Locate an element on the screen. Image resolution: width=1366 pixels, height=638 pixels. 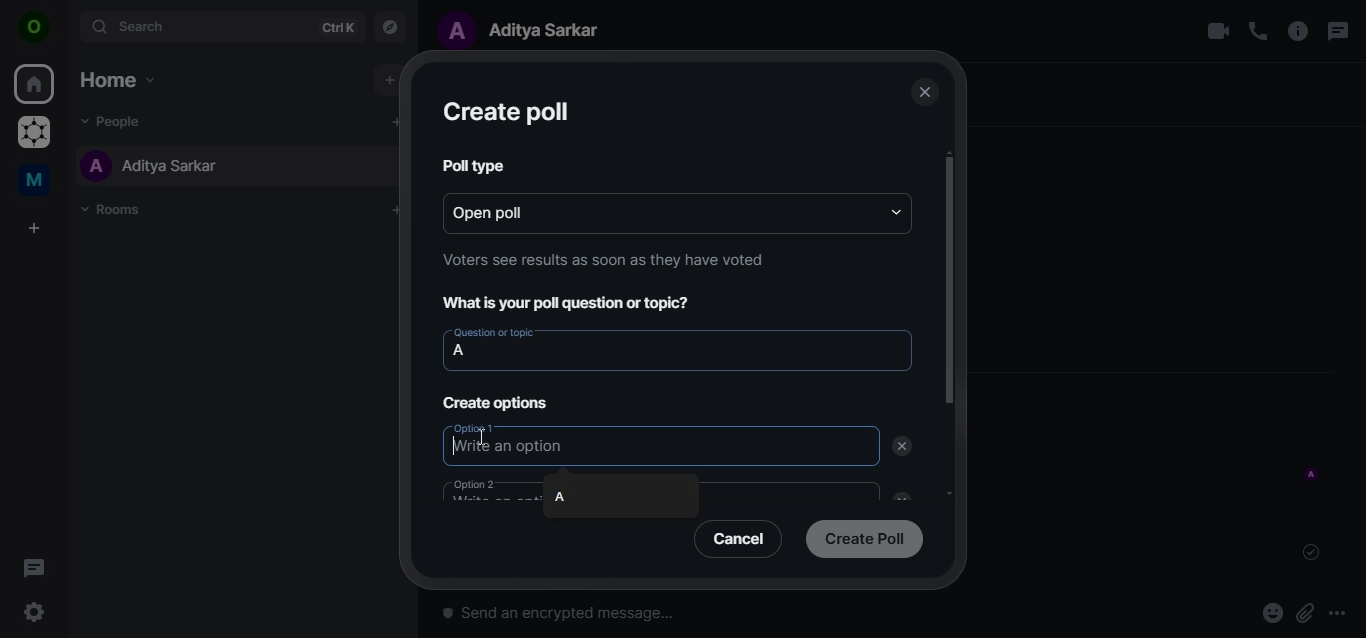
dropdown menu is located at coordinates (897, 212).